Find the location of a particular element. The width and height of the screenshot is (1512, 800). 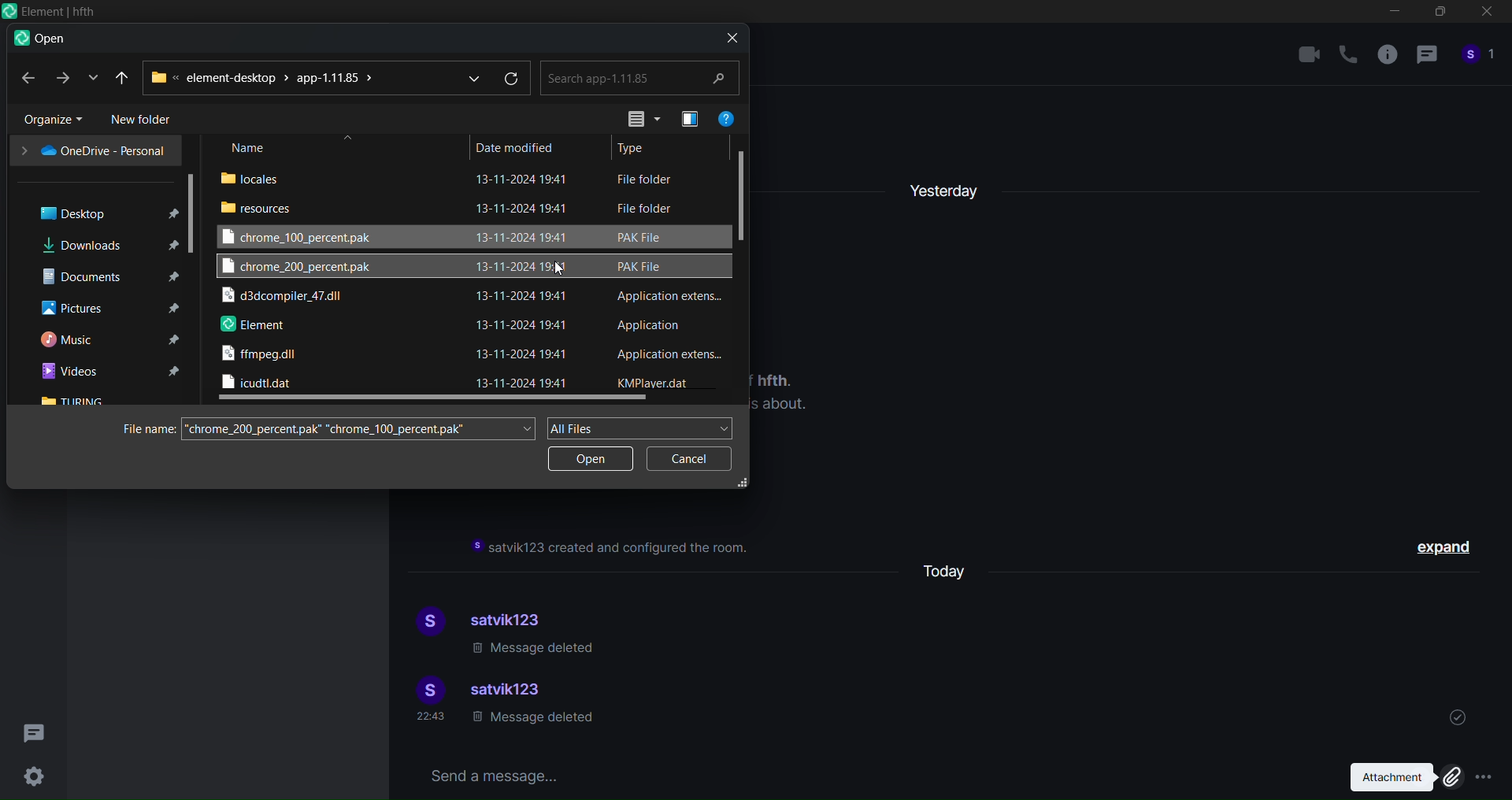

view is located at coordinates (636, 118).